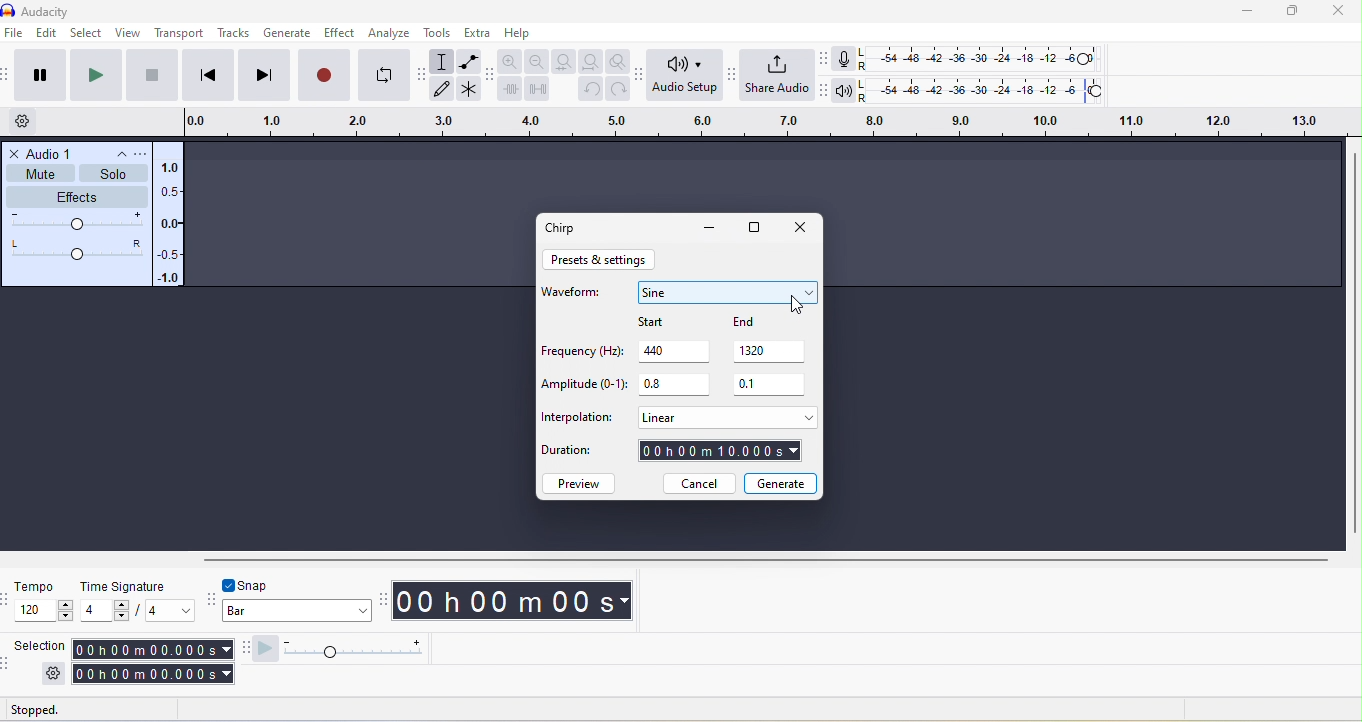 Image resolution: width=1362 pixels, height=722 pixels. I want to click on audio setup, so click(687, 76).